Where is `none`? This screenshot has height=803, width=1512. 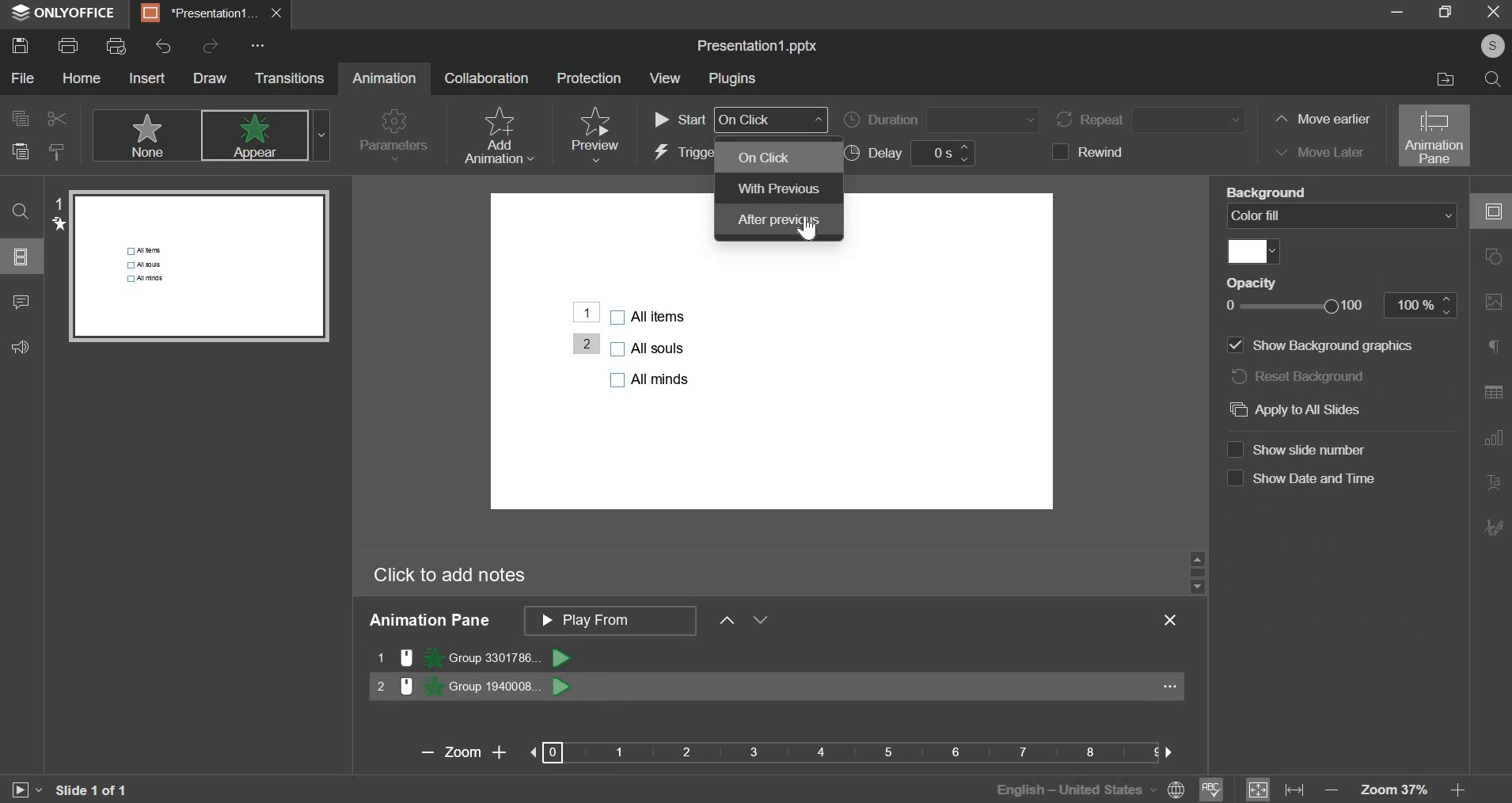
none is located at coordinates (145, 135).